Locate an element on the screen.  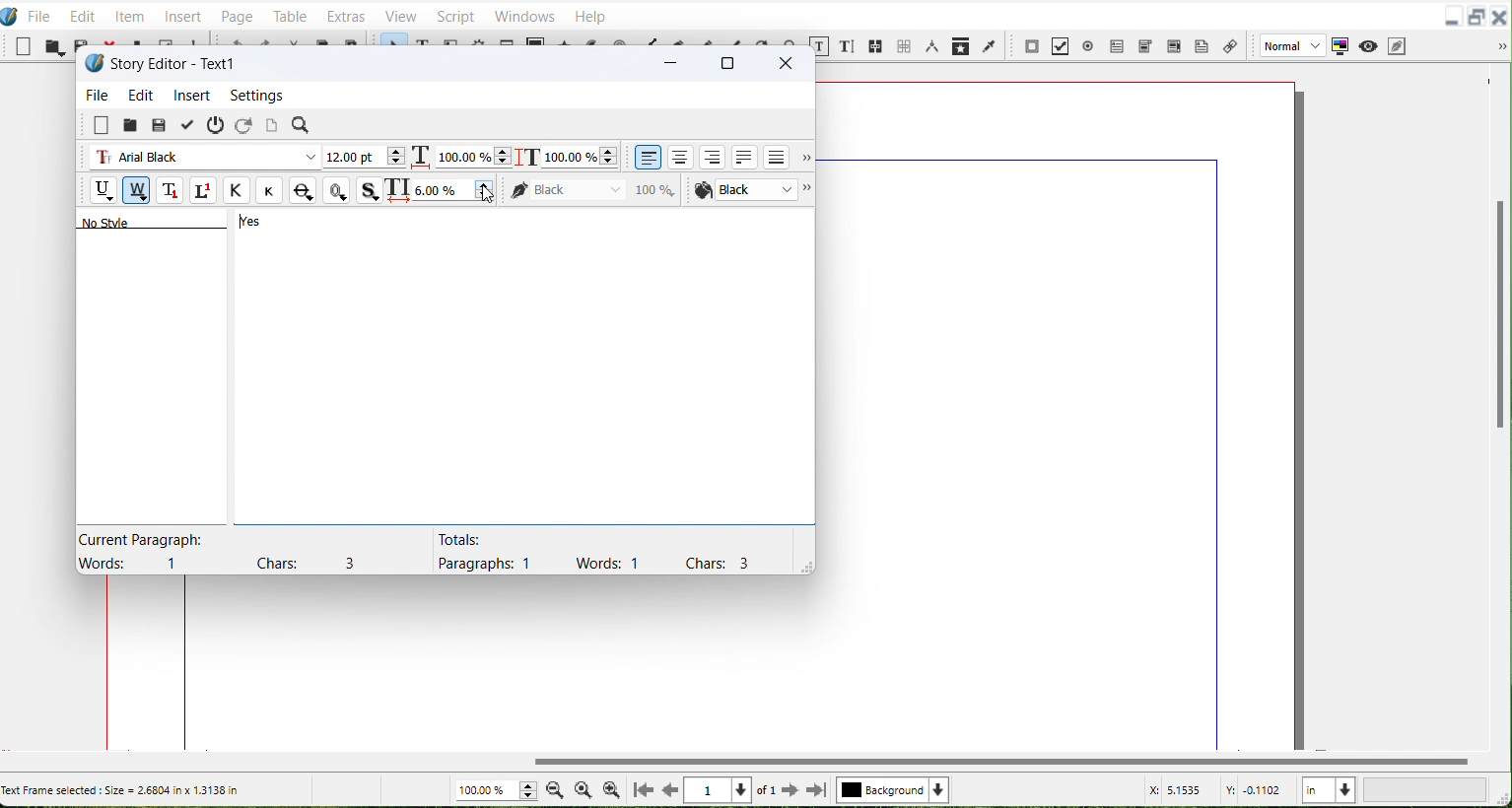
Go to last page is located at coordinates (817, 790).